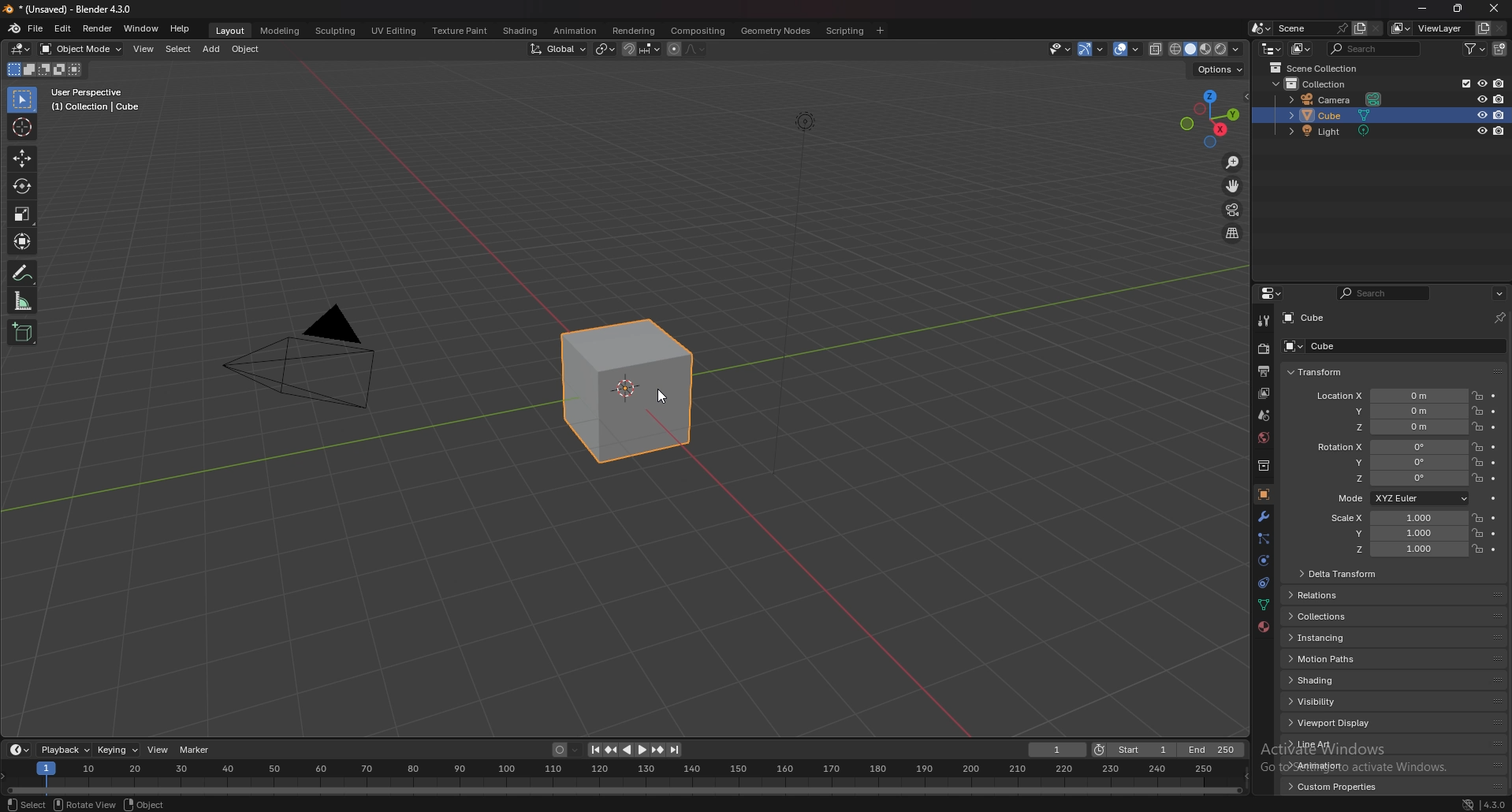 Image resolution: width=1512 pixels, height=812 pixels. What do you see at coordinates (1061, 50) in the screenshot?
I see `selectibility and visibility` at bounding box center [1061, 50].